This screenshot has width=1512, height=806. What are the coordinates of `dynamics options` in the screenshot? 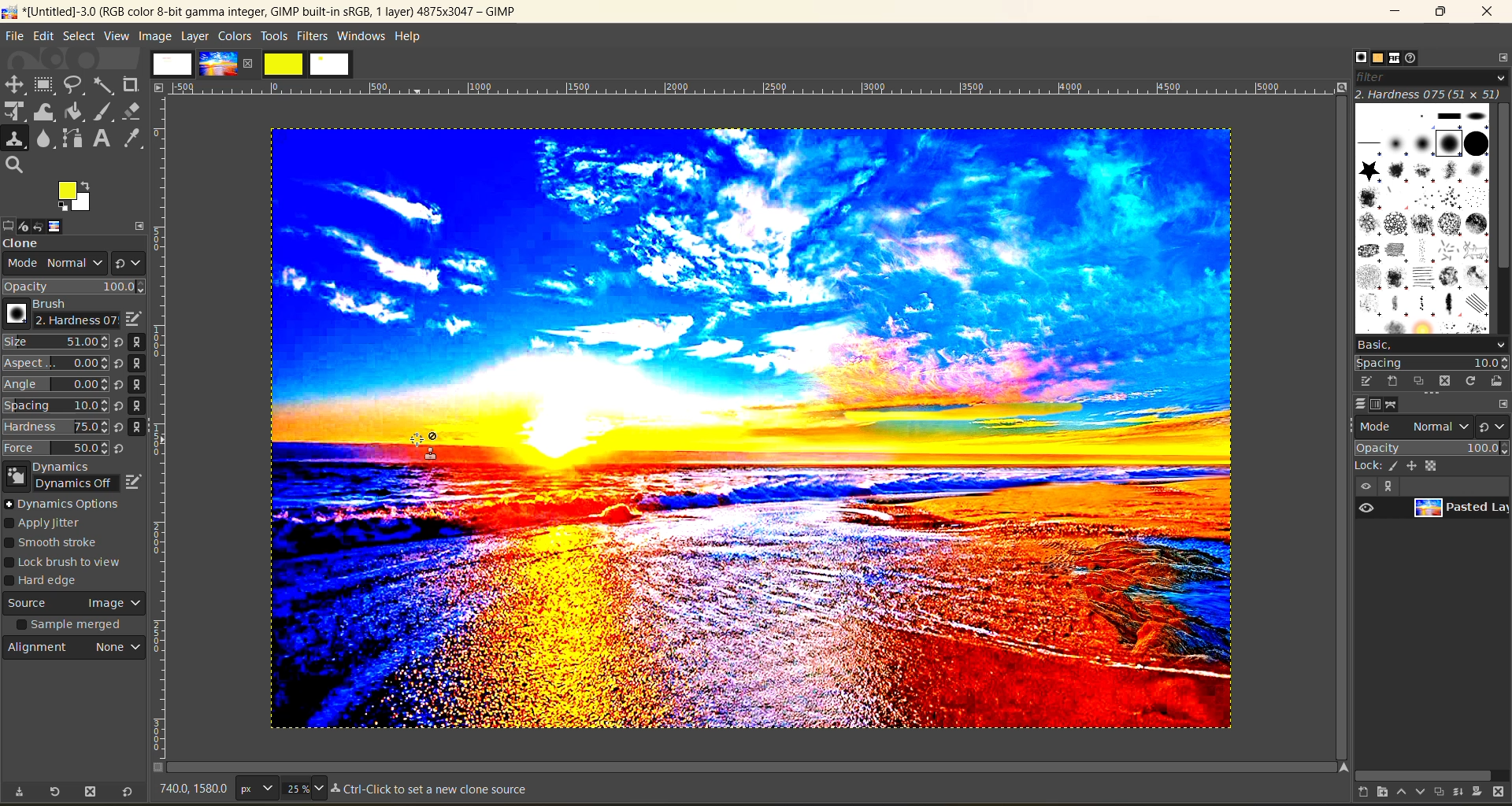 It's located at (67, 504).